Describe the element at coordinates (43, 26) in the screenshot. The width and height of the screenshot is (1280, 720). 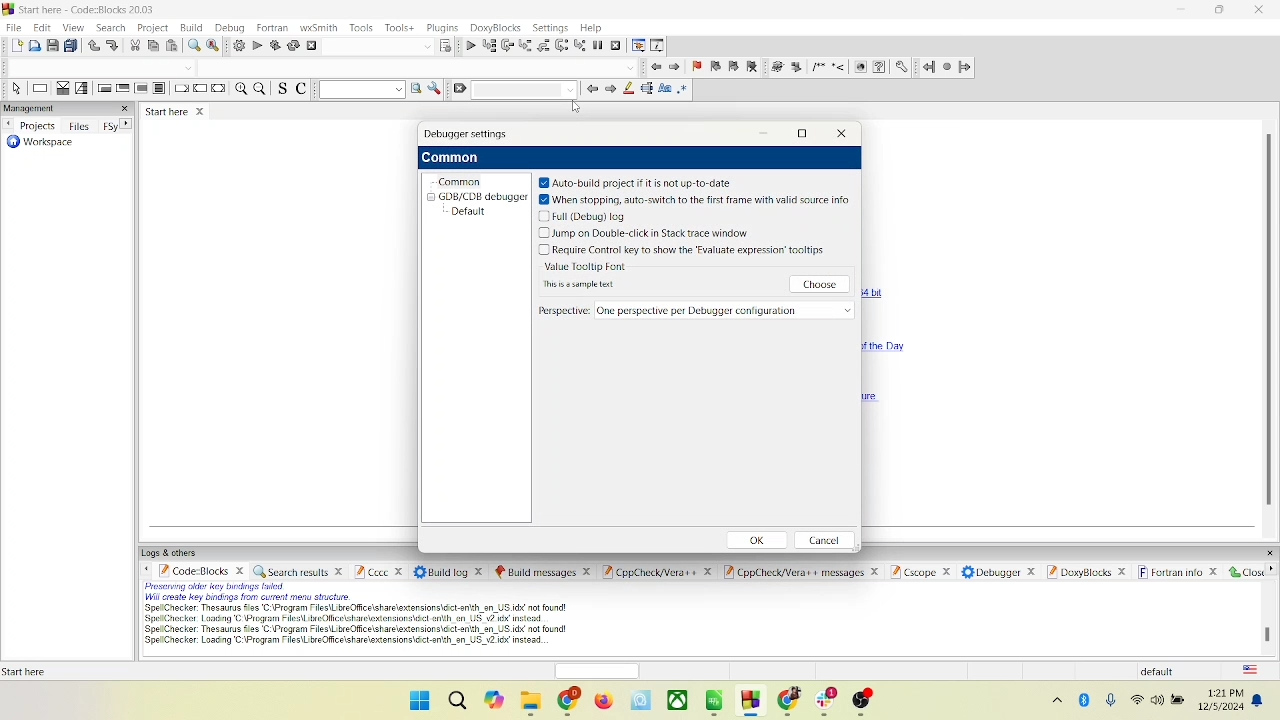
I see `edit` at that location.